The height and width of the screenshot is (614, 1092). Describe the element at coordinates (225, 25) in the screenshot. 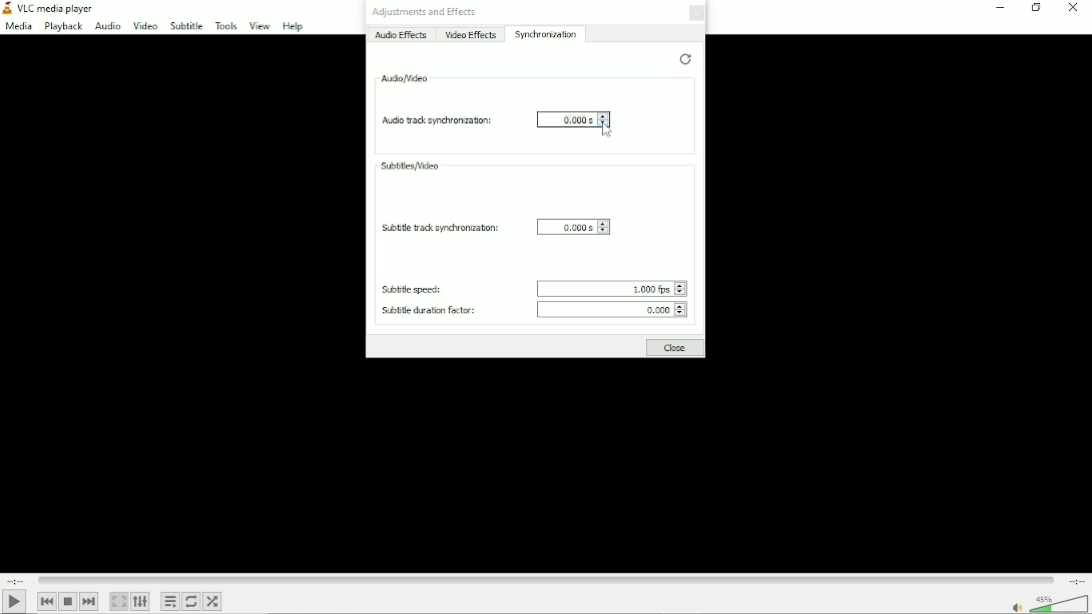

I see `Tools` at that location.